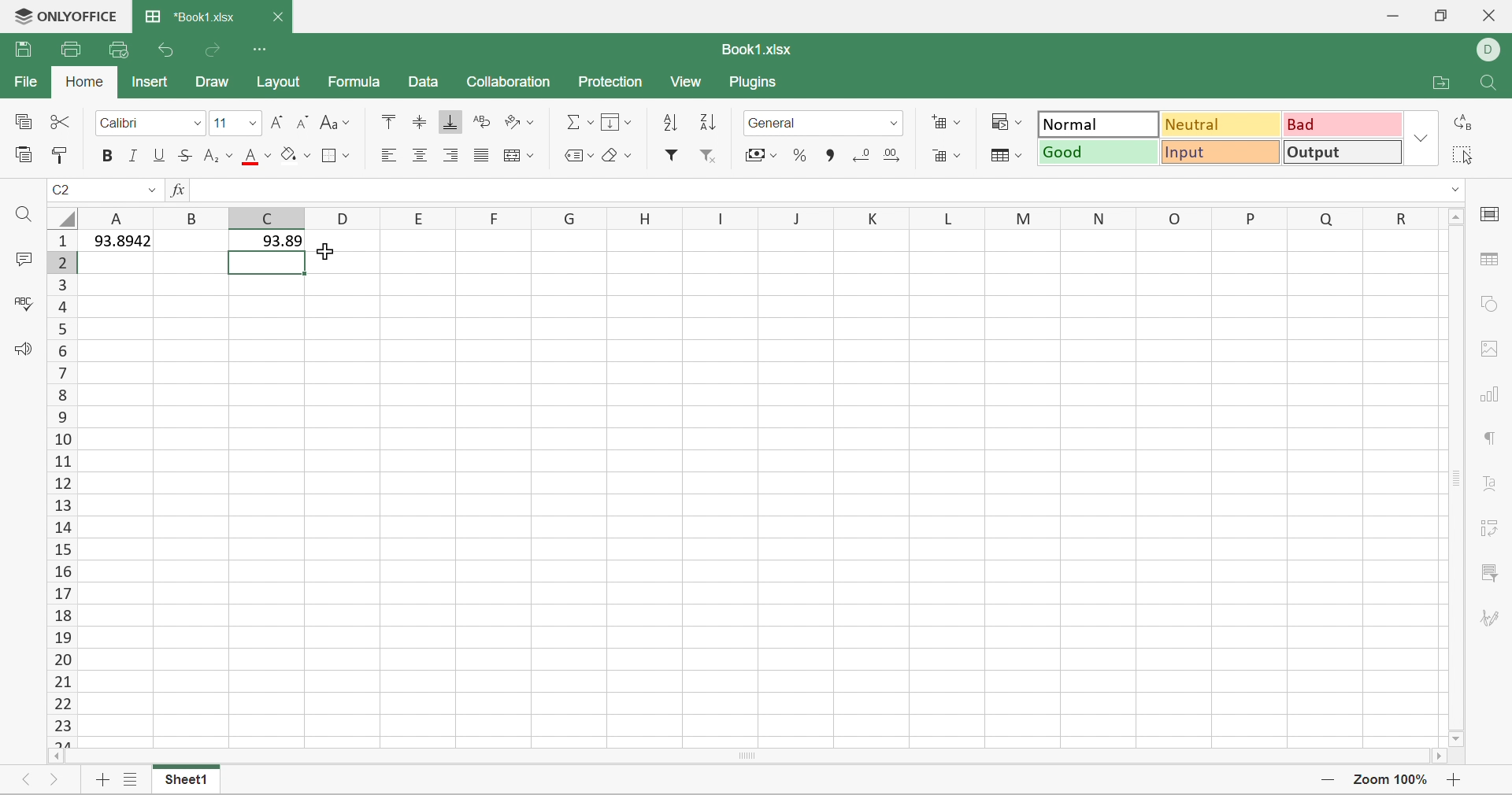  Describe the element at coordinates (57, 122) in the screenshot. I see `Cut` at that location.